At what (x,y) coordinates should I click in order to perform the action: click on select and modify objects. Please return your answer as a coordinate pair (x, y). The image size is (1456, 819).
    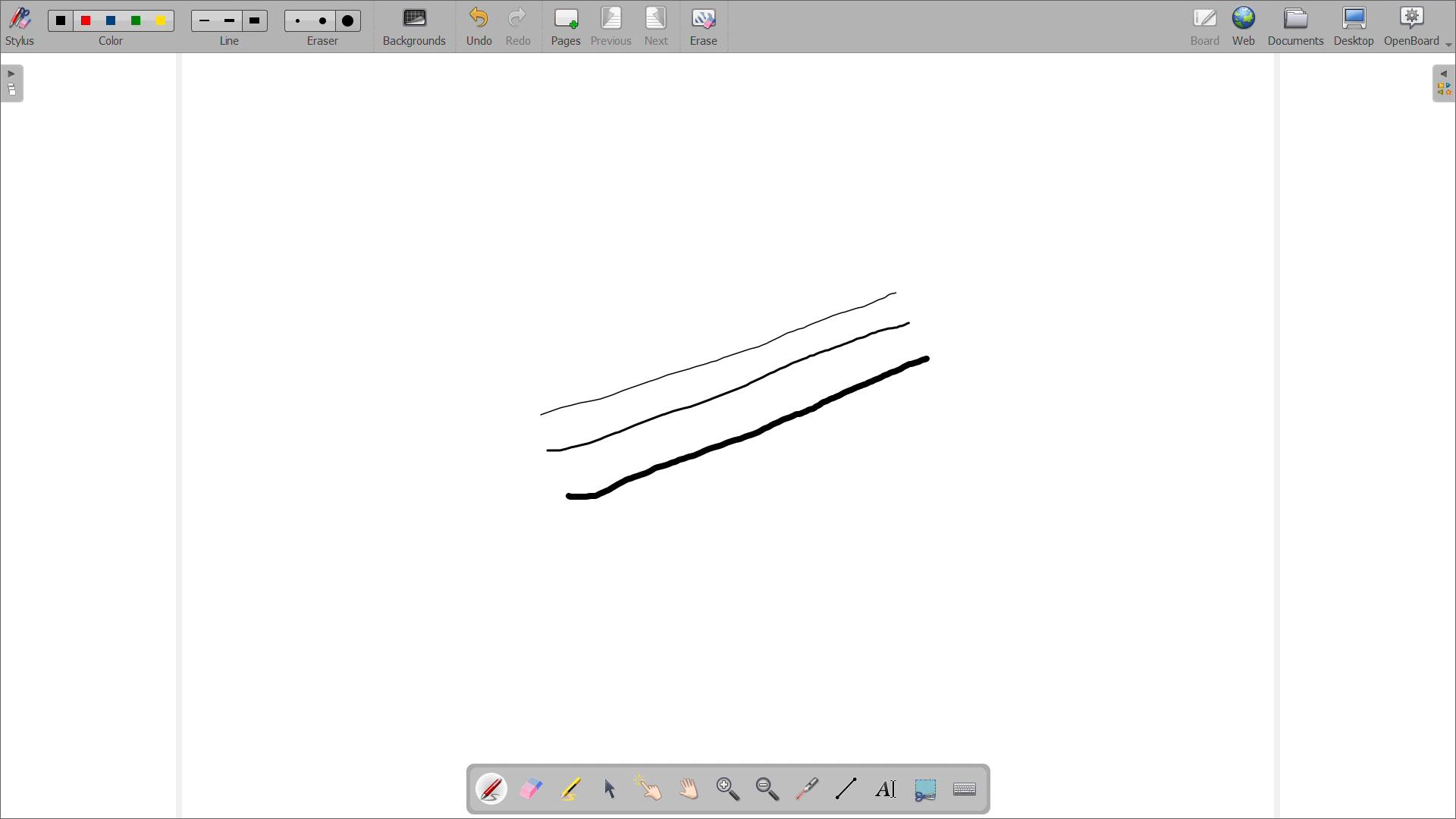
    Looking at the image, I should click on (610, 789).